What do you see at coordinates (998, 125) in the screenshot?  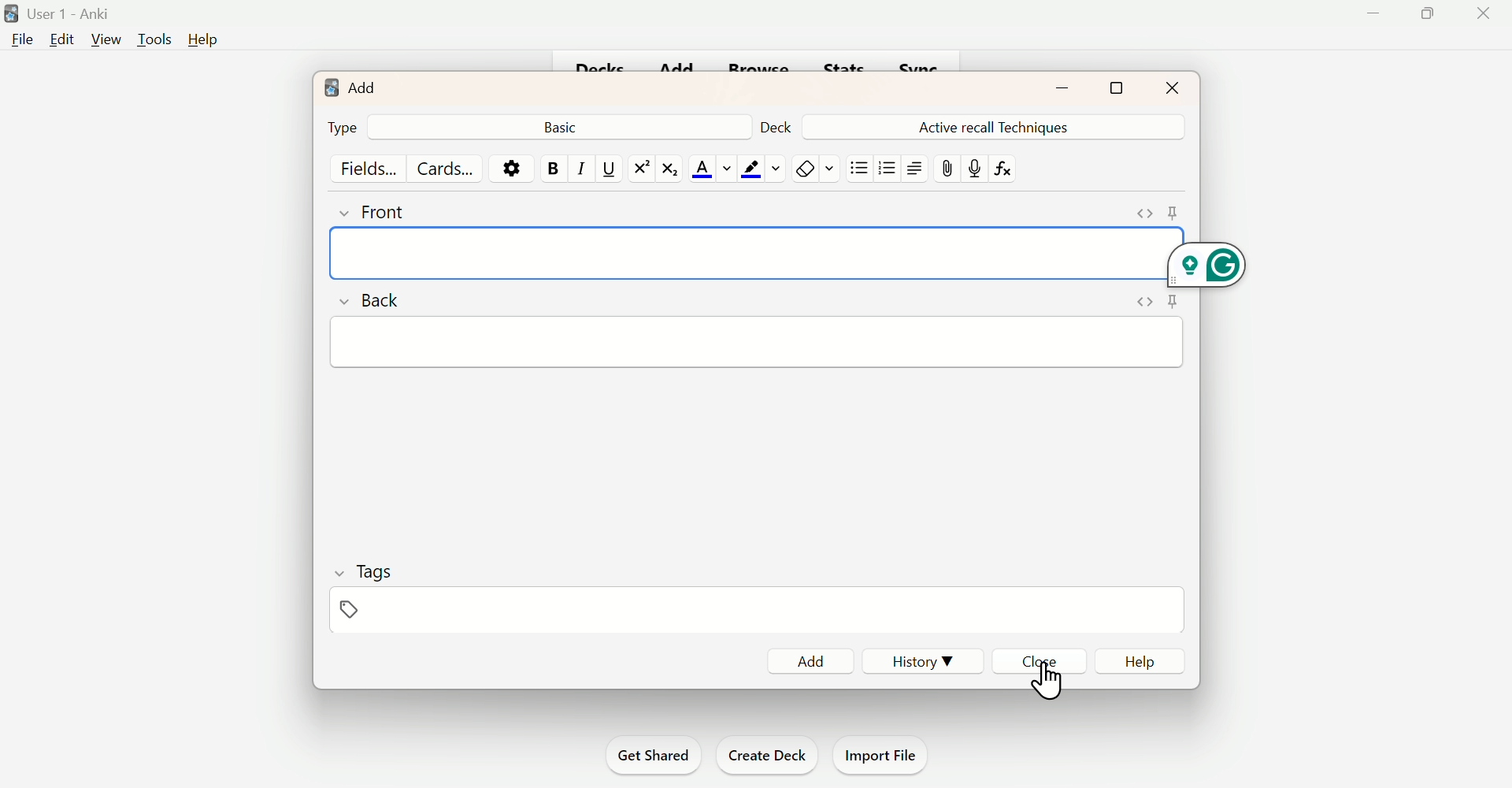 I see `Active Recall Techniques` at bounding box center [998, 125].